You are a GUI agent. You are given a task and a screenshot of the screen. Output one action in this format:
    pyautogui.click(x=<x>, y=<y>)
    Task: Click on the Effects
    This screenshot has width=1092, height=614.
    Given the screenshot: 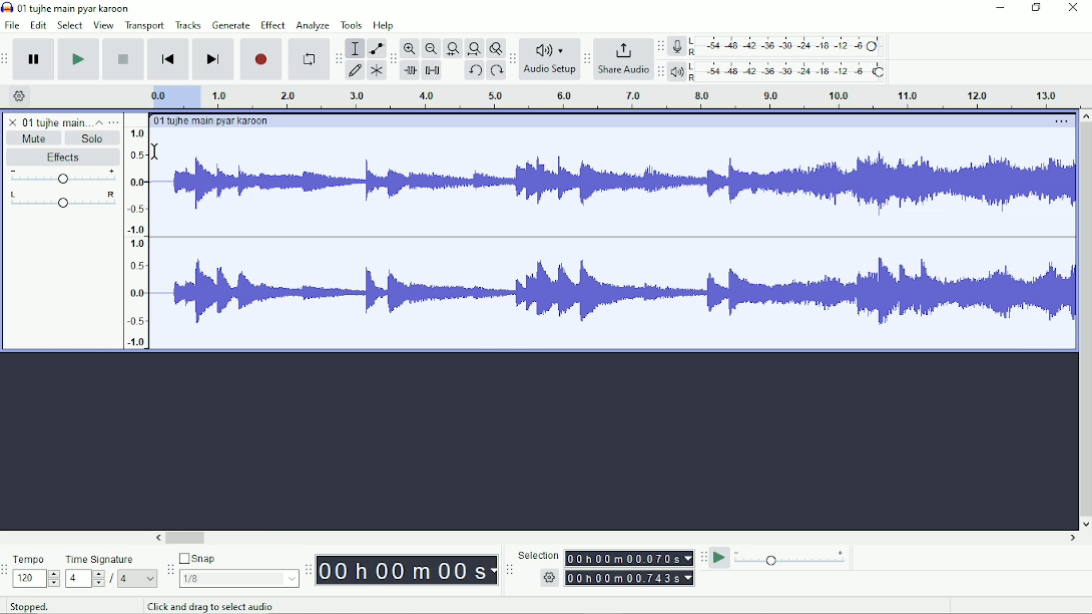 What is the action you would take?
    pyautogui.click(x=63, y=158)
    